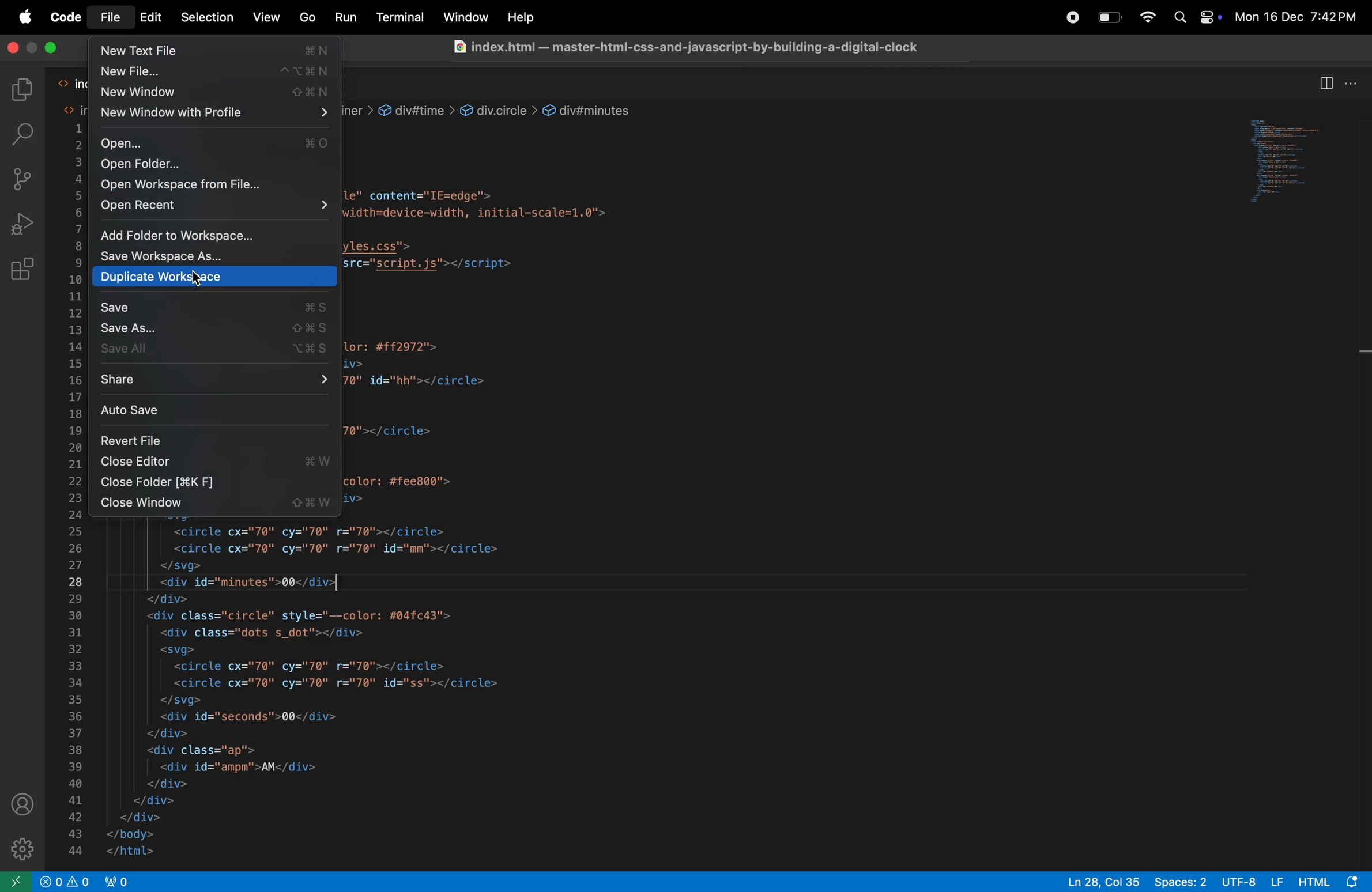 This screenshot has height=892, width=1372. What do you see at coordinates (1178, 882) in the screenshot?
I see `space 2` at bounding box center [1178, 882].